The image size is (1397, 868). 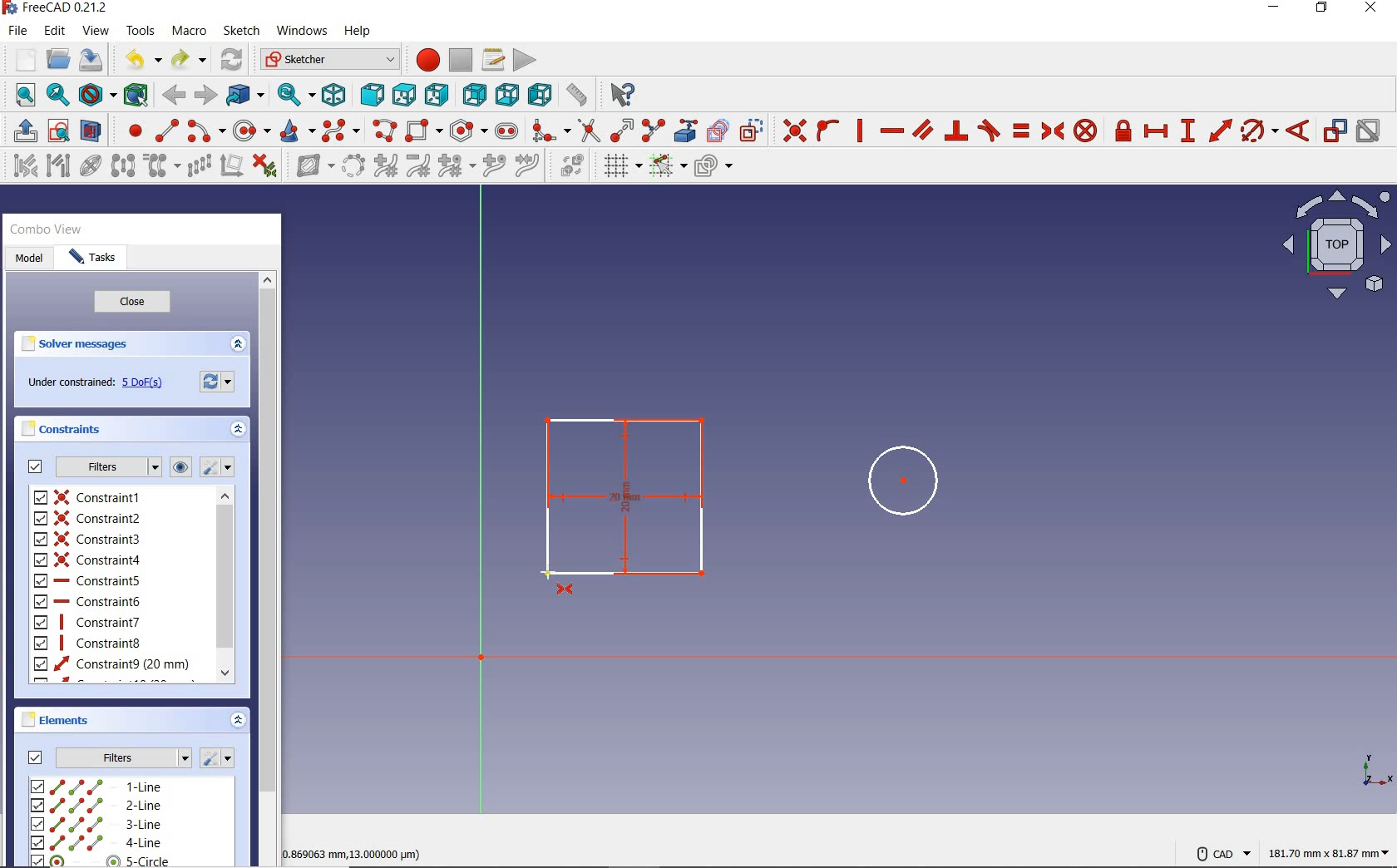 I want to click on select associated geometry, so click(x=57, y=167).